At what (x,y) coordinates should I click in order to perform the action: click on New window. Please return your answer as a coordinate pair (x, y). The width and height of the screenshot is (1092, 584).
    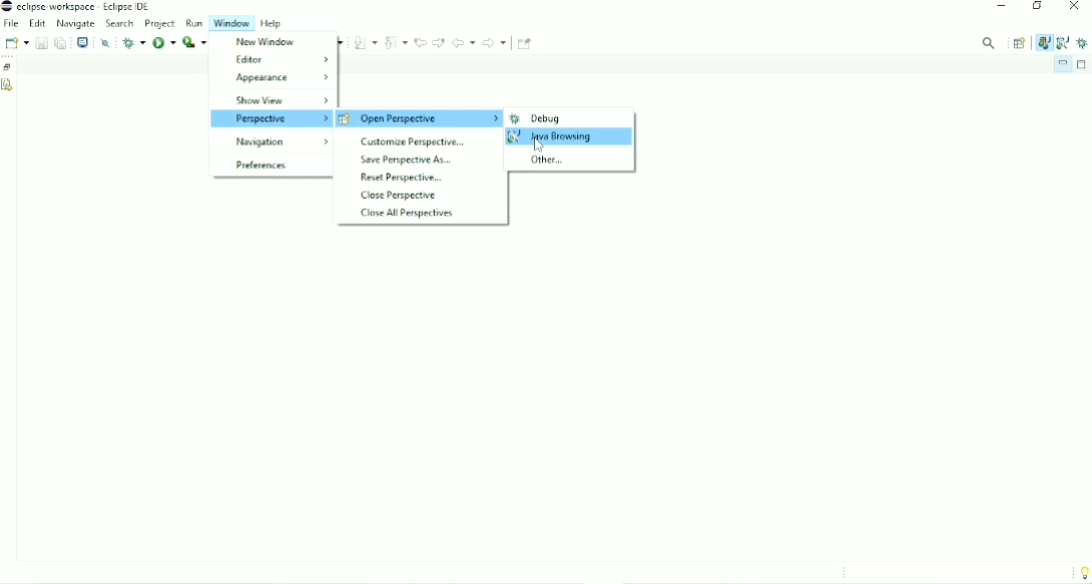
    Looking at the image, I should click on (264, 42).